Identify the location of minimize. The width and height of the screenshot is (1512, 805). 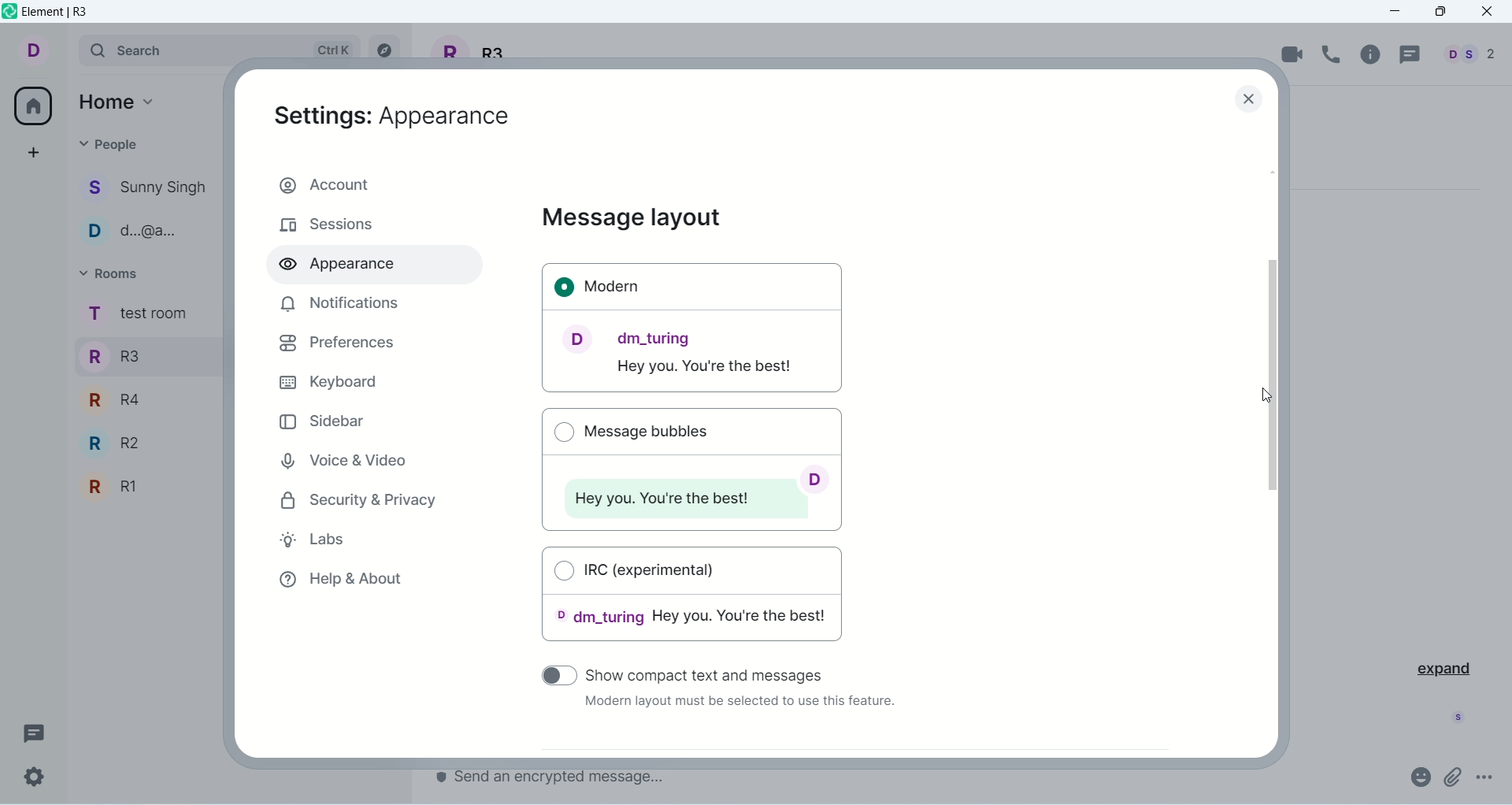
(1401, 12).